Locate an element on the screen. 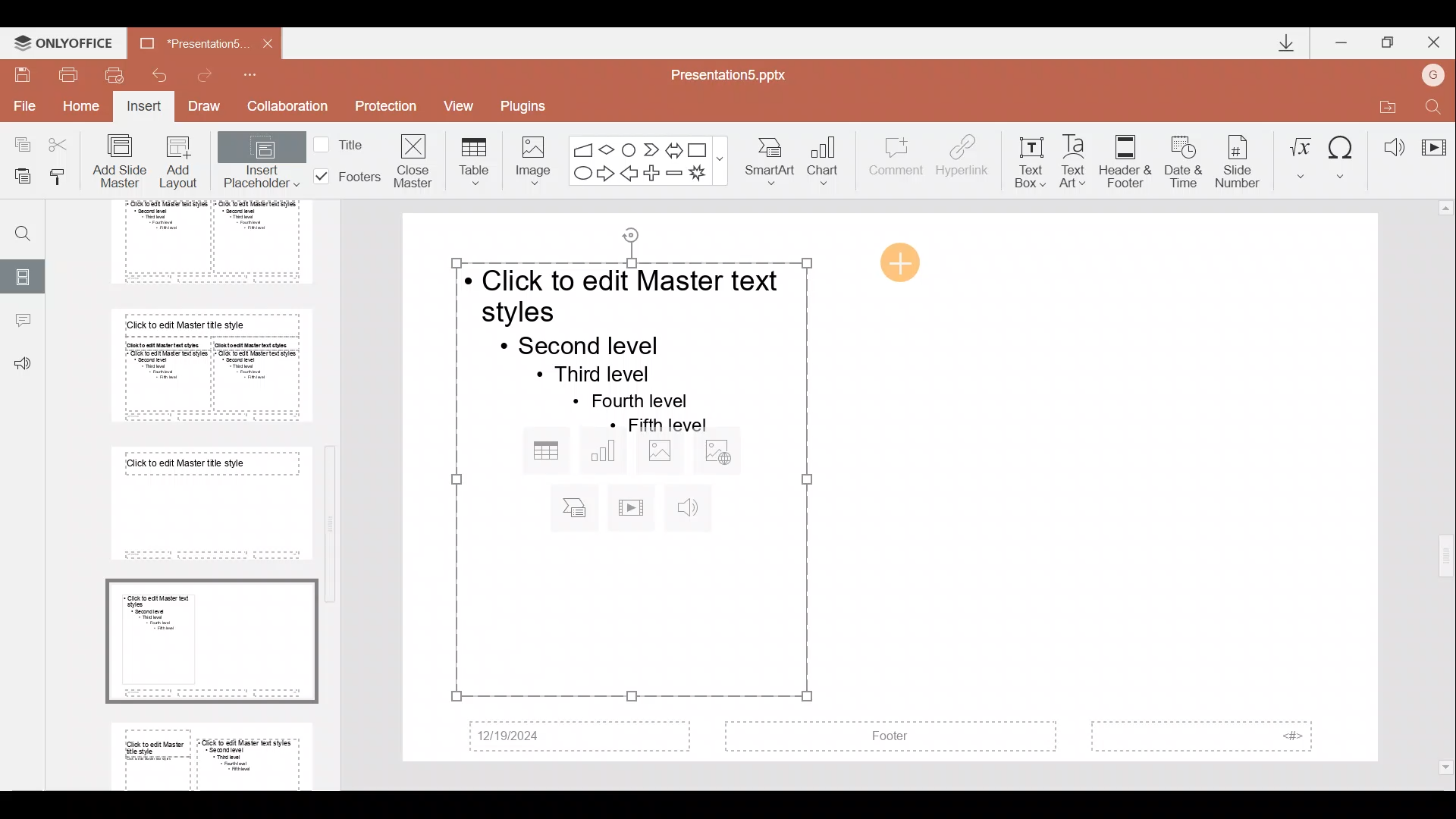 This screenshot has height=819, width=1456. Date & time is located at coordinates (1180, 158).